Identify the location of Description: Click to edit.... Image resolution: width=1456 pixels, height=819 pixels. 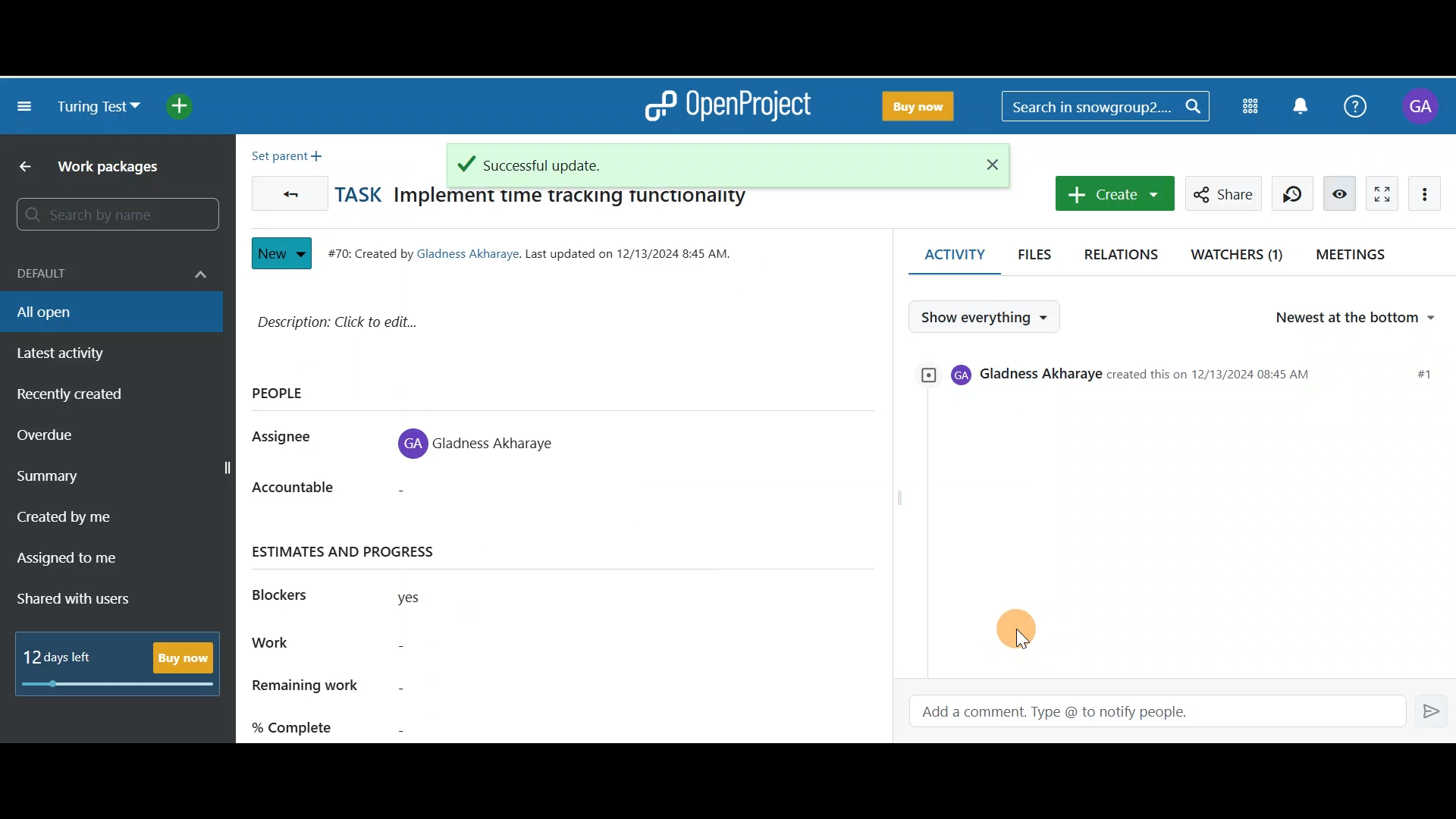
(500, 329).